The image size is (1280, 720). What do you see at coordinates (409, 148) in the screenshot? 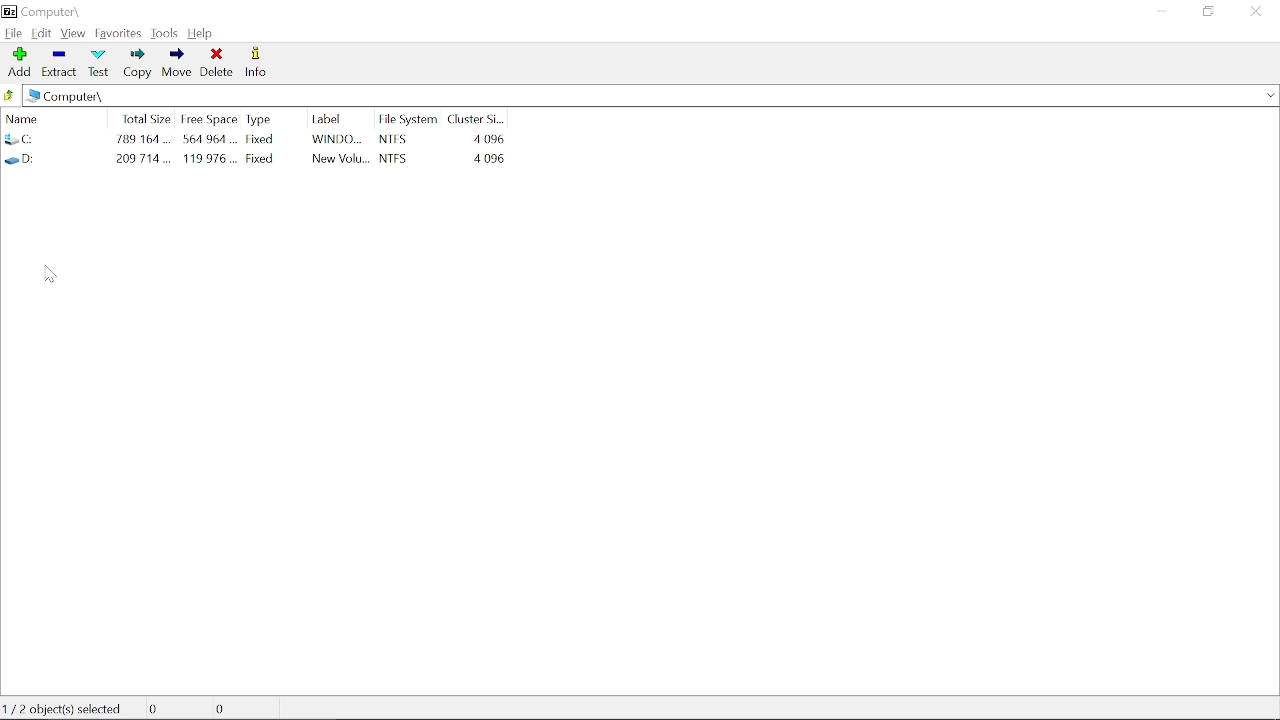
I see `NTFS NTFS` at bounding box center [409, 148].